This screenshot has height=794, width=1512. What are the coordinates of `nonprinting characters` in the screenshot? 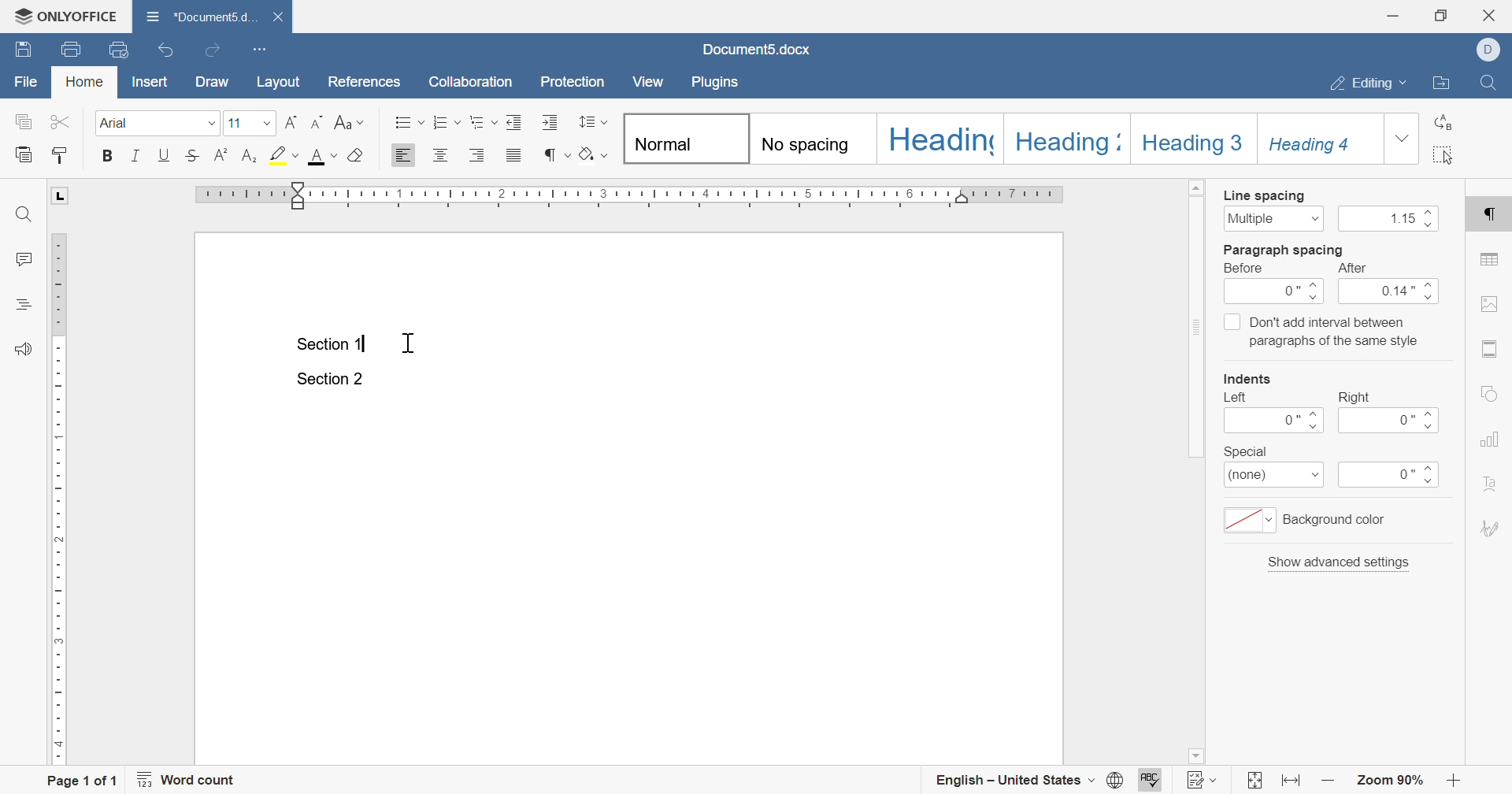 It's located at (558, 155).